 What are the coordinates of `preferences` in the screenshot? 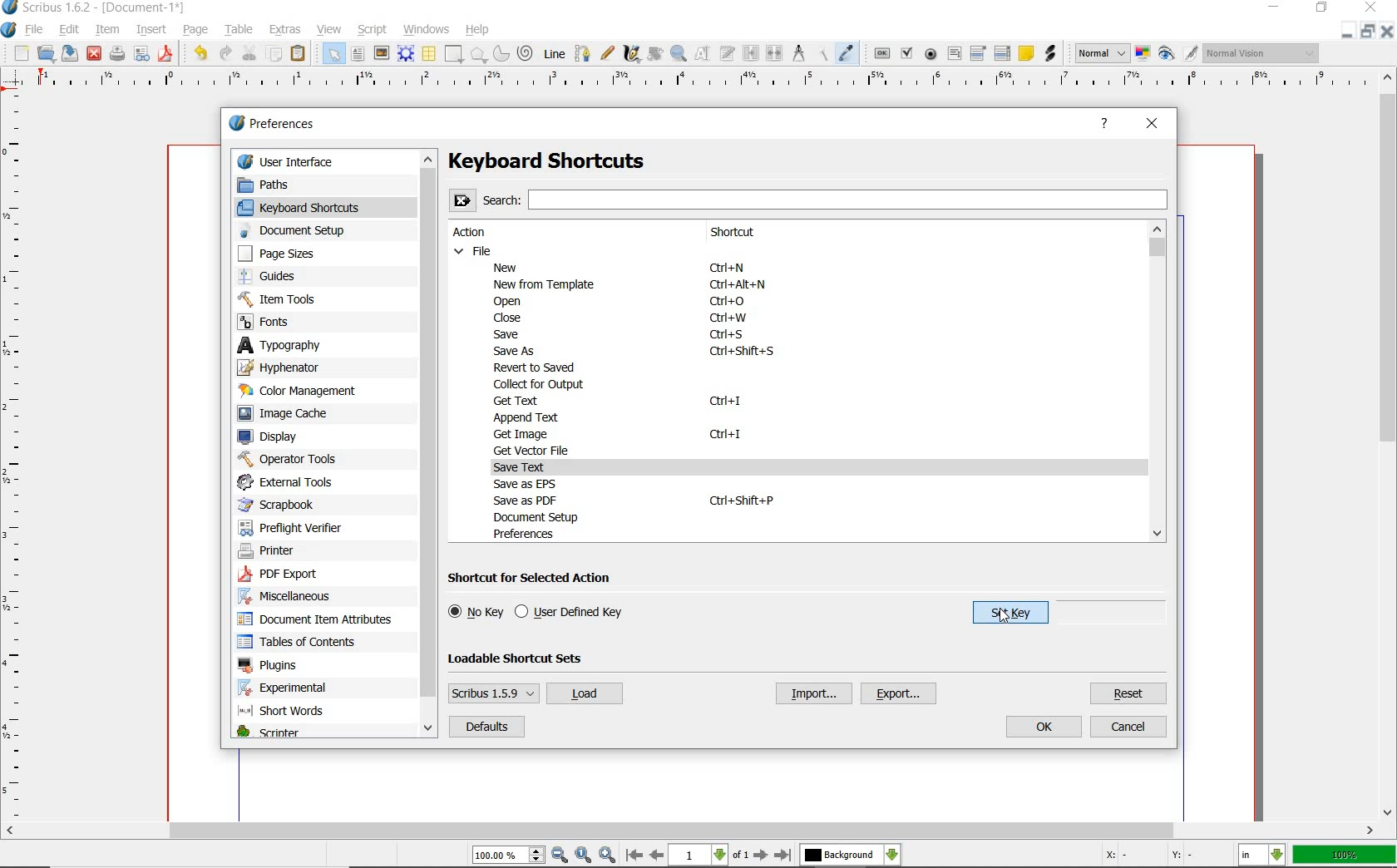 It's located at (529, 534).